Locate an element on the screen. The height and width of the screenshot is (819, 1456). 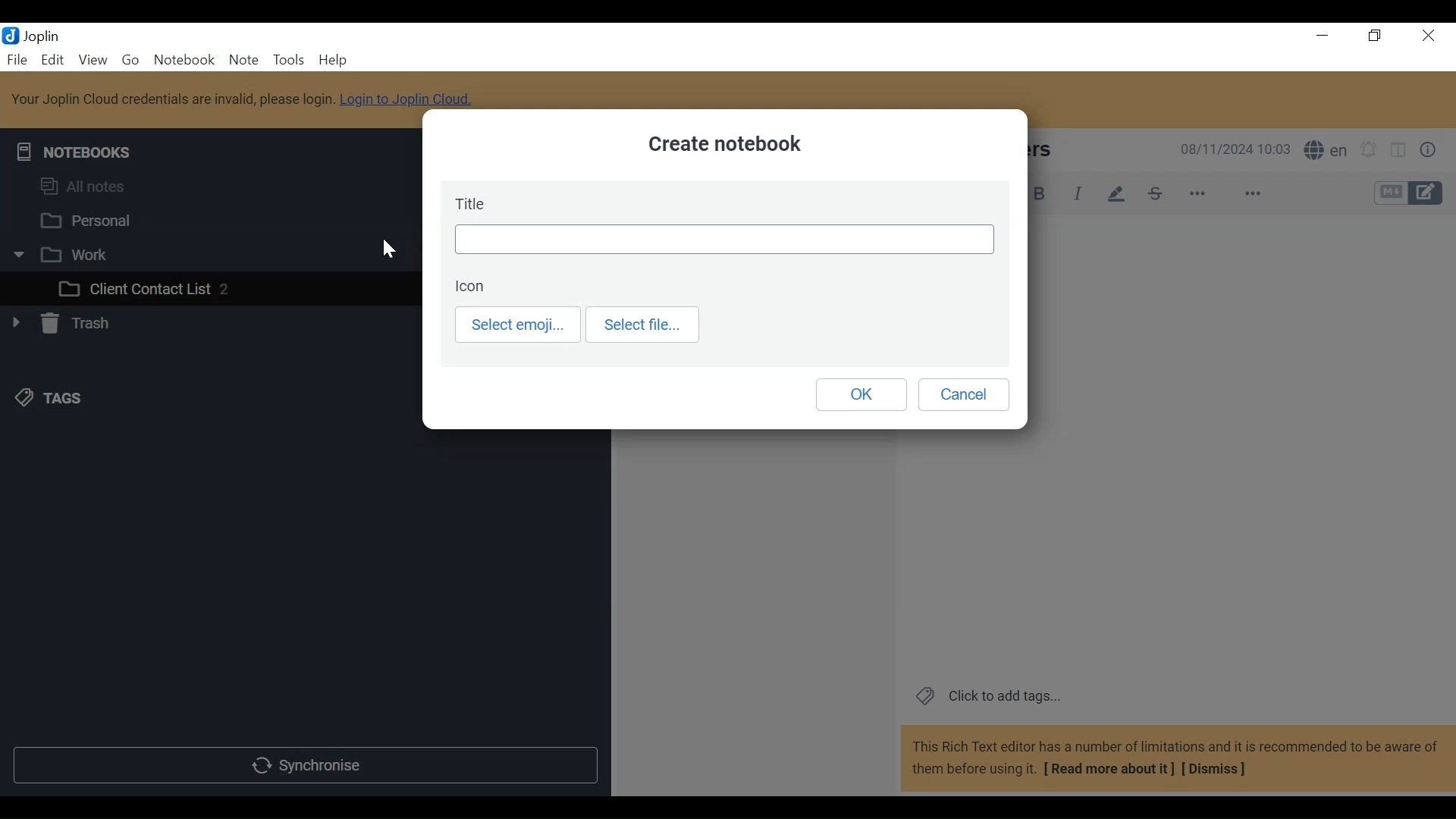
cursor is located at coordinates (385, 246).